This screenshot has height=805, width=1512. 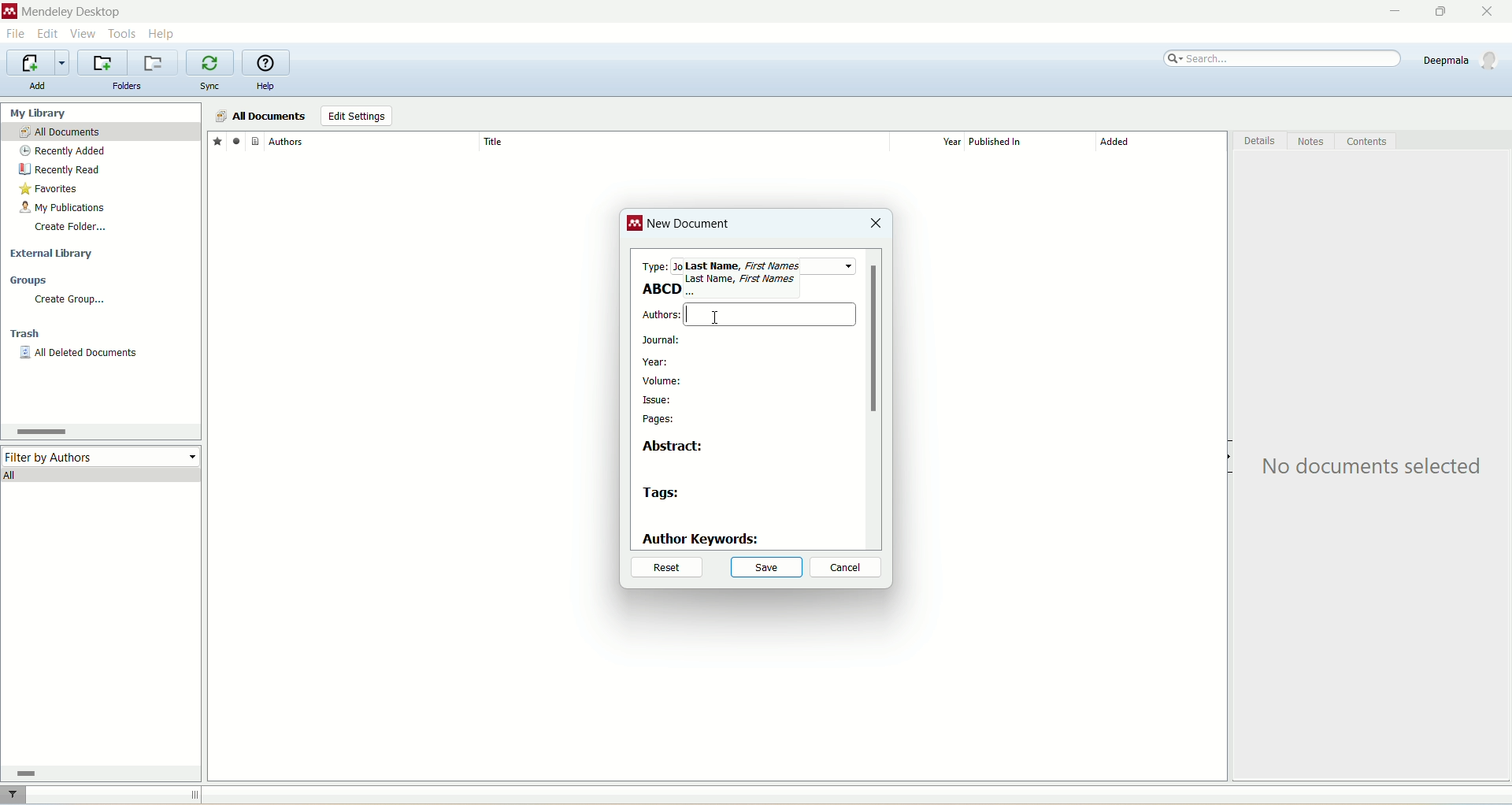 I want to click on file, so click(x=15, y=35).